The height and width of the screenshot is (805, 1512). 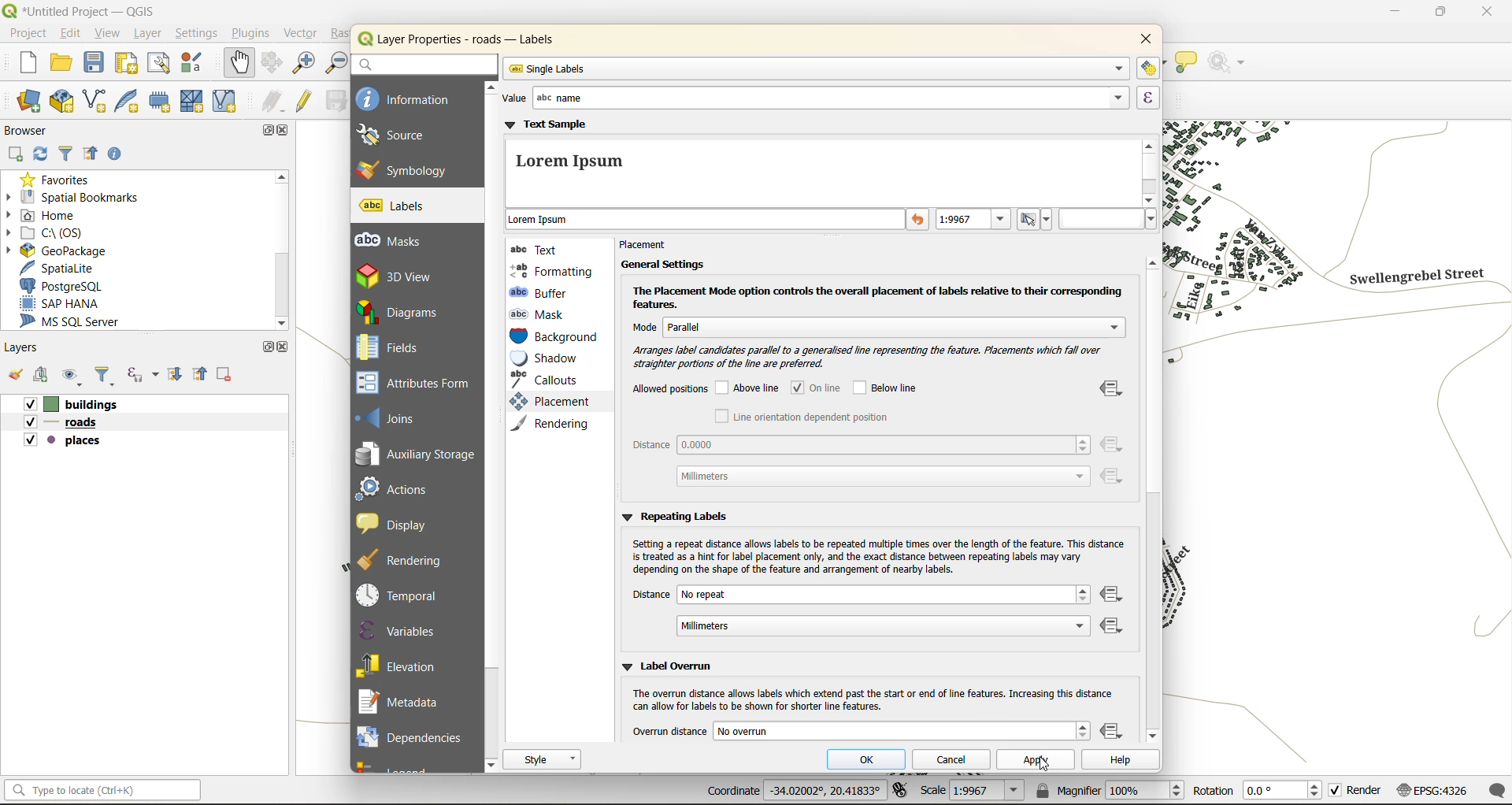 What do you see at coordinates (28, 350) in the screenshot?
I see `layers` at bounding box center [28, 350].